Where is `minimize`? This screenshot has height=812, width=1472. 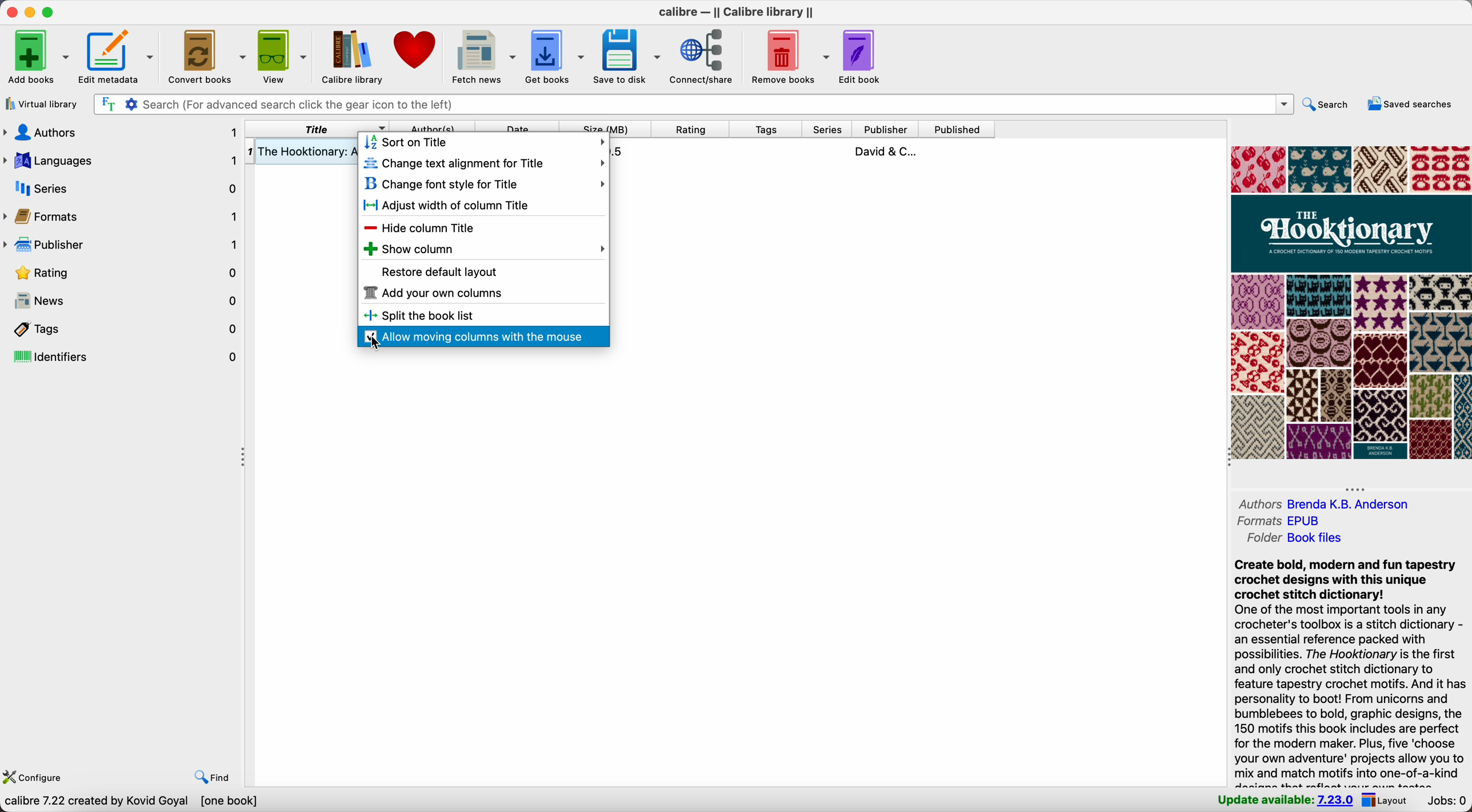 minimize is located at coordinates (33, 12).